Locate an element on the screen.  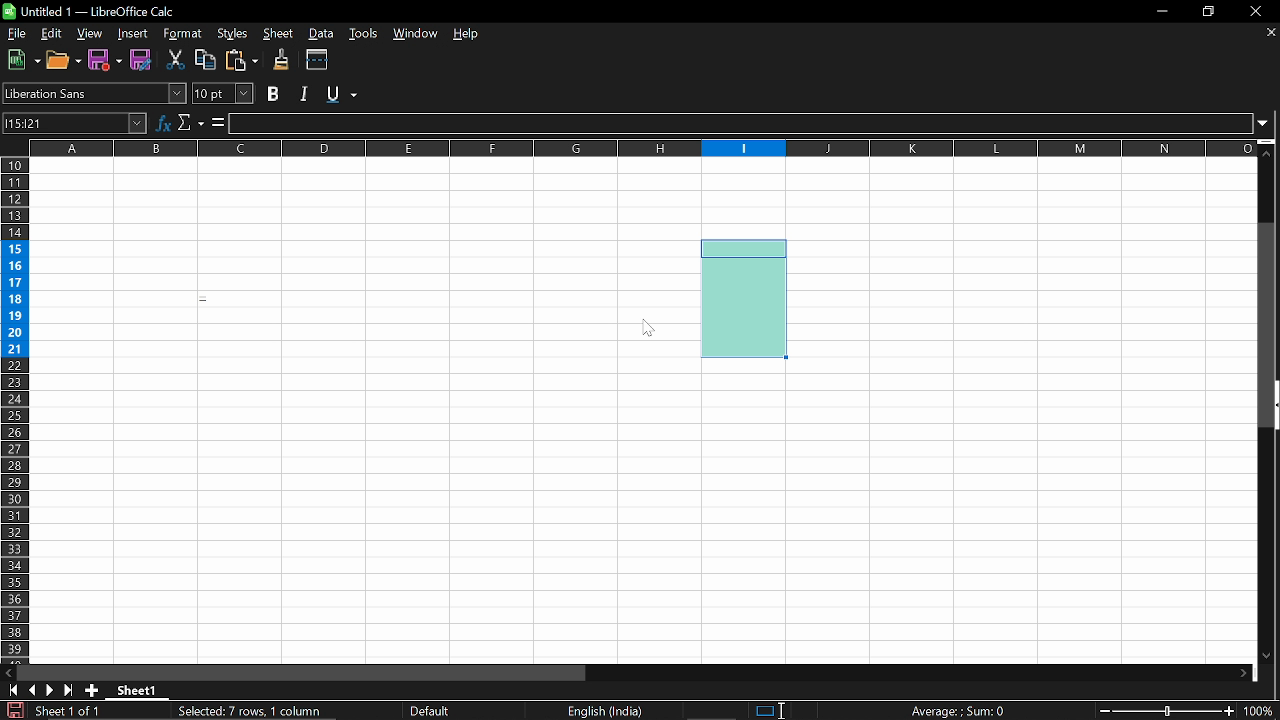
Previous page is located at coordinates (34, 690).